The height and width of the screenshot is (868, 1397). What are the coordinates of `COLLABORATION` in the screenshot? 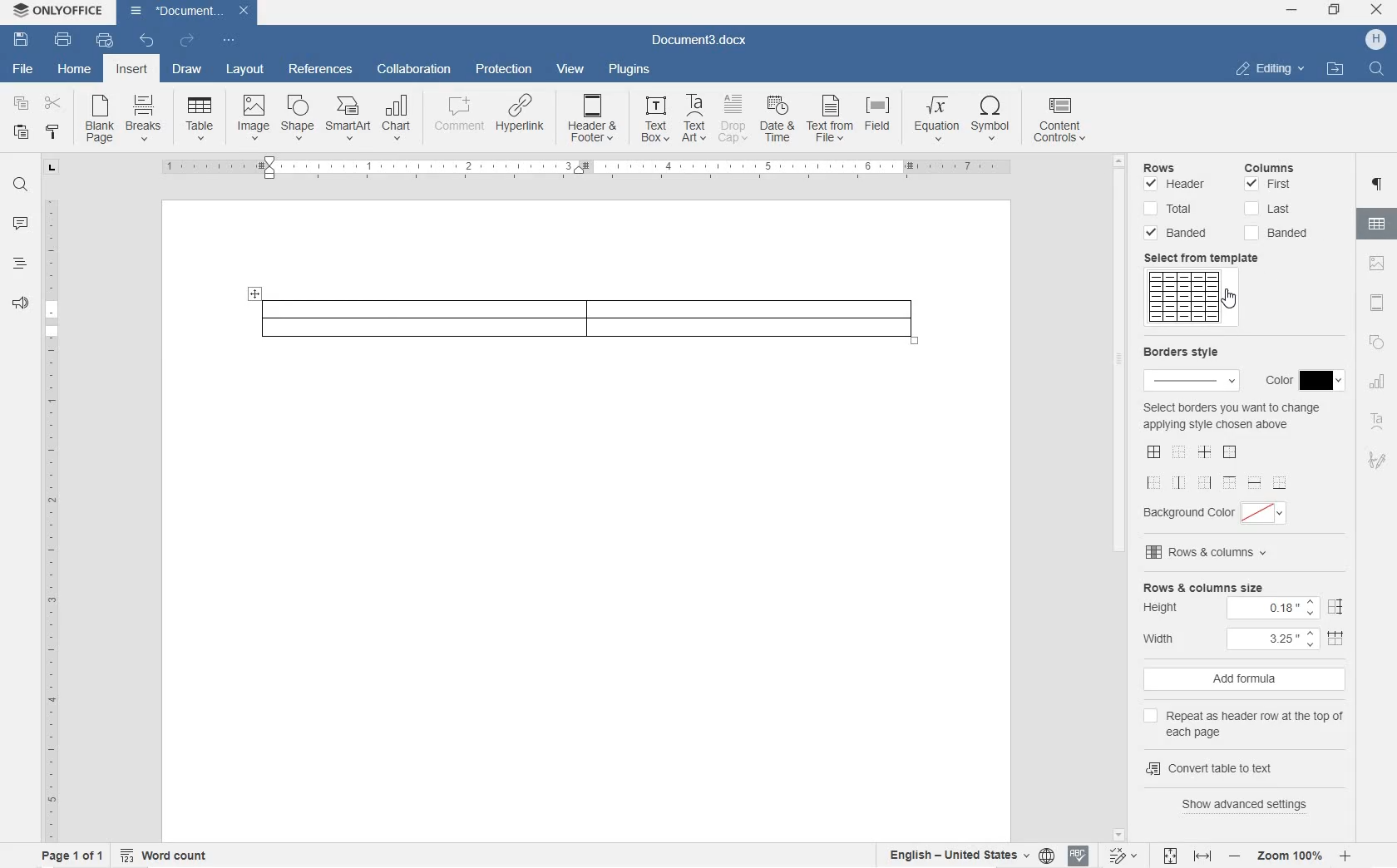 It's located at (417, 70).